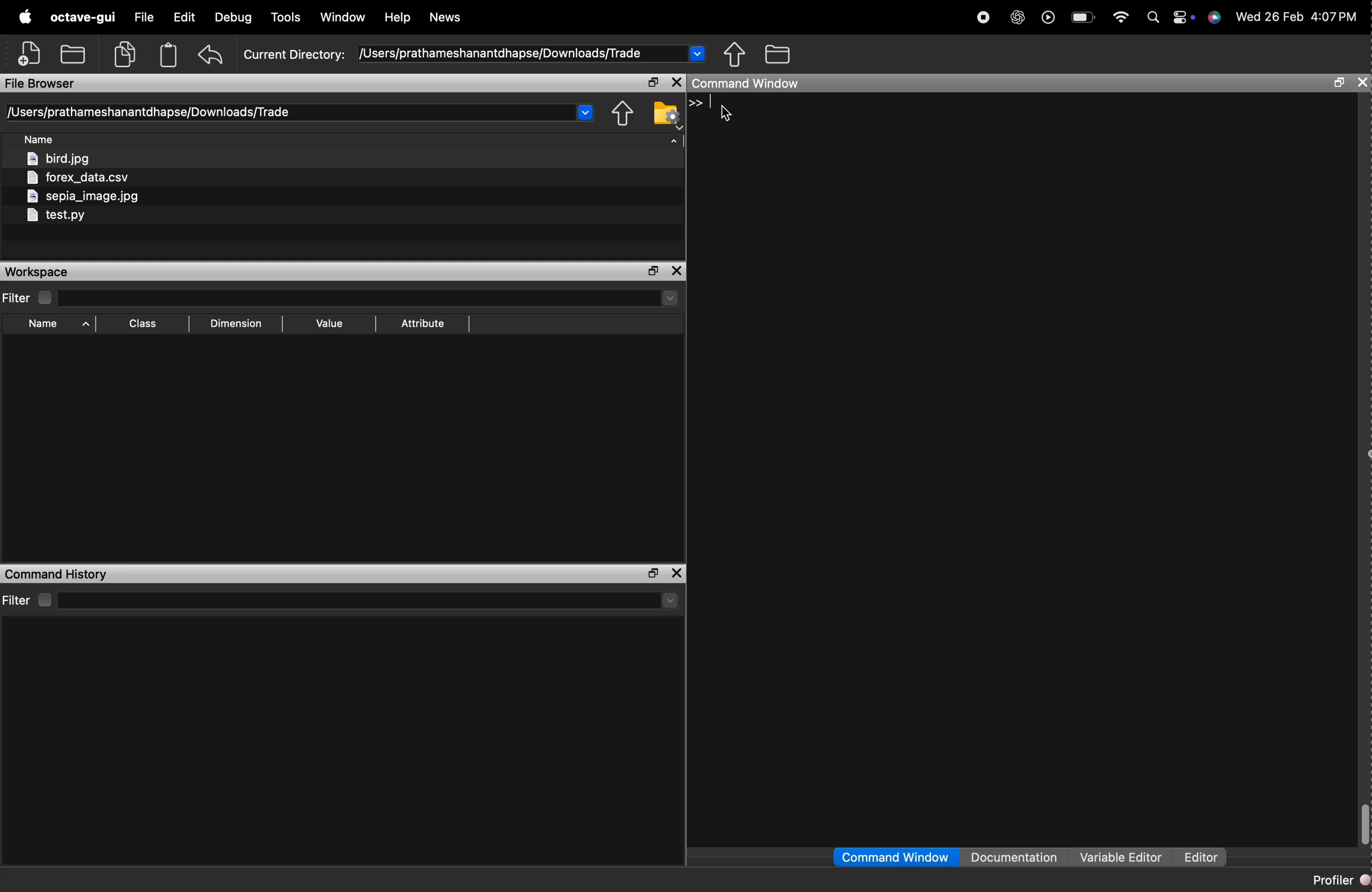 This screenshot has height=892, width=1372. What do you see at coordinates (56, 216) in the screenshot?
I see ` test.py` at bounding box center [56, 216].